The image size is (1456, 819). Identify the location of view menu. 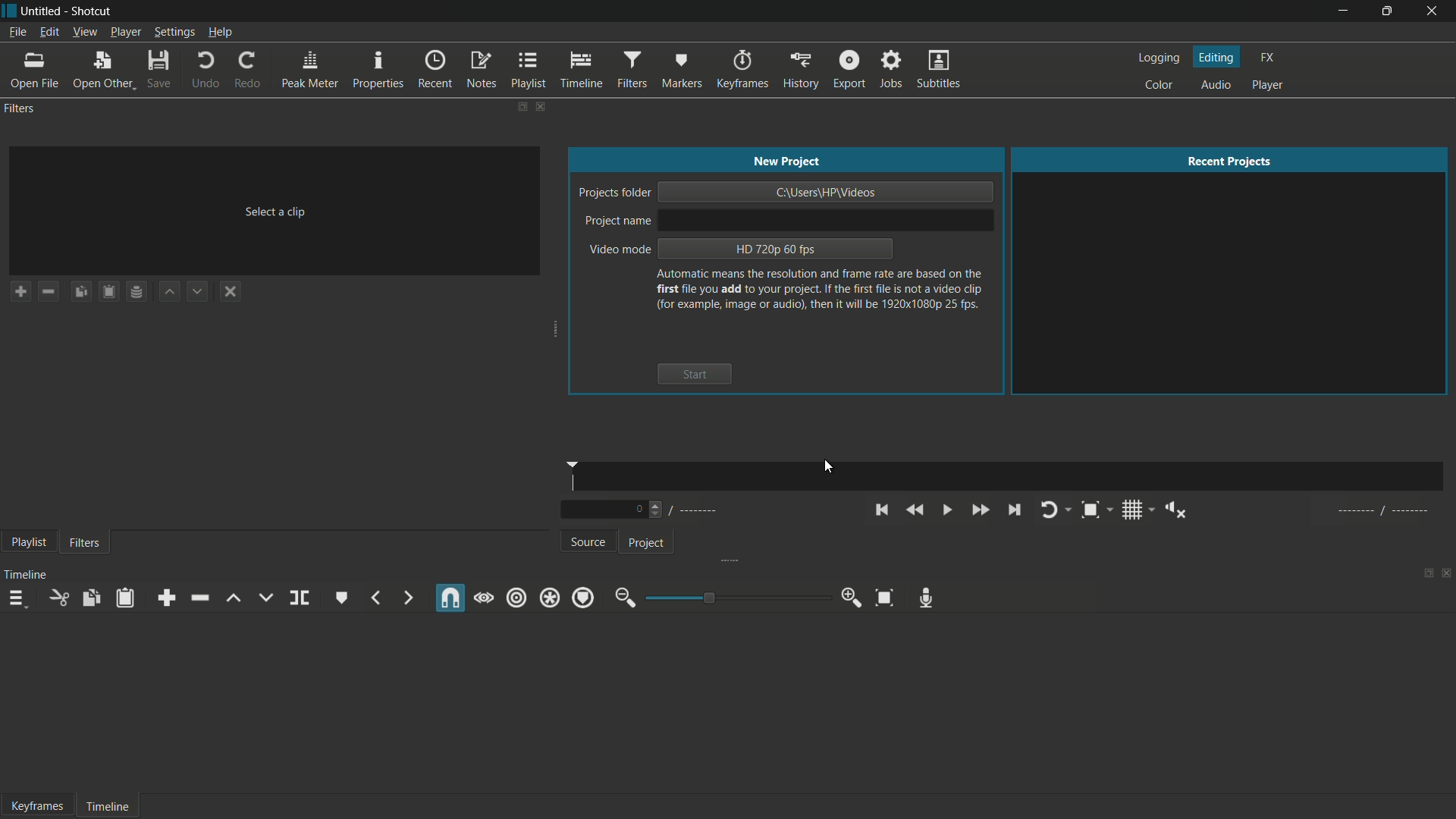
(84, 33).